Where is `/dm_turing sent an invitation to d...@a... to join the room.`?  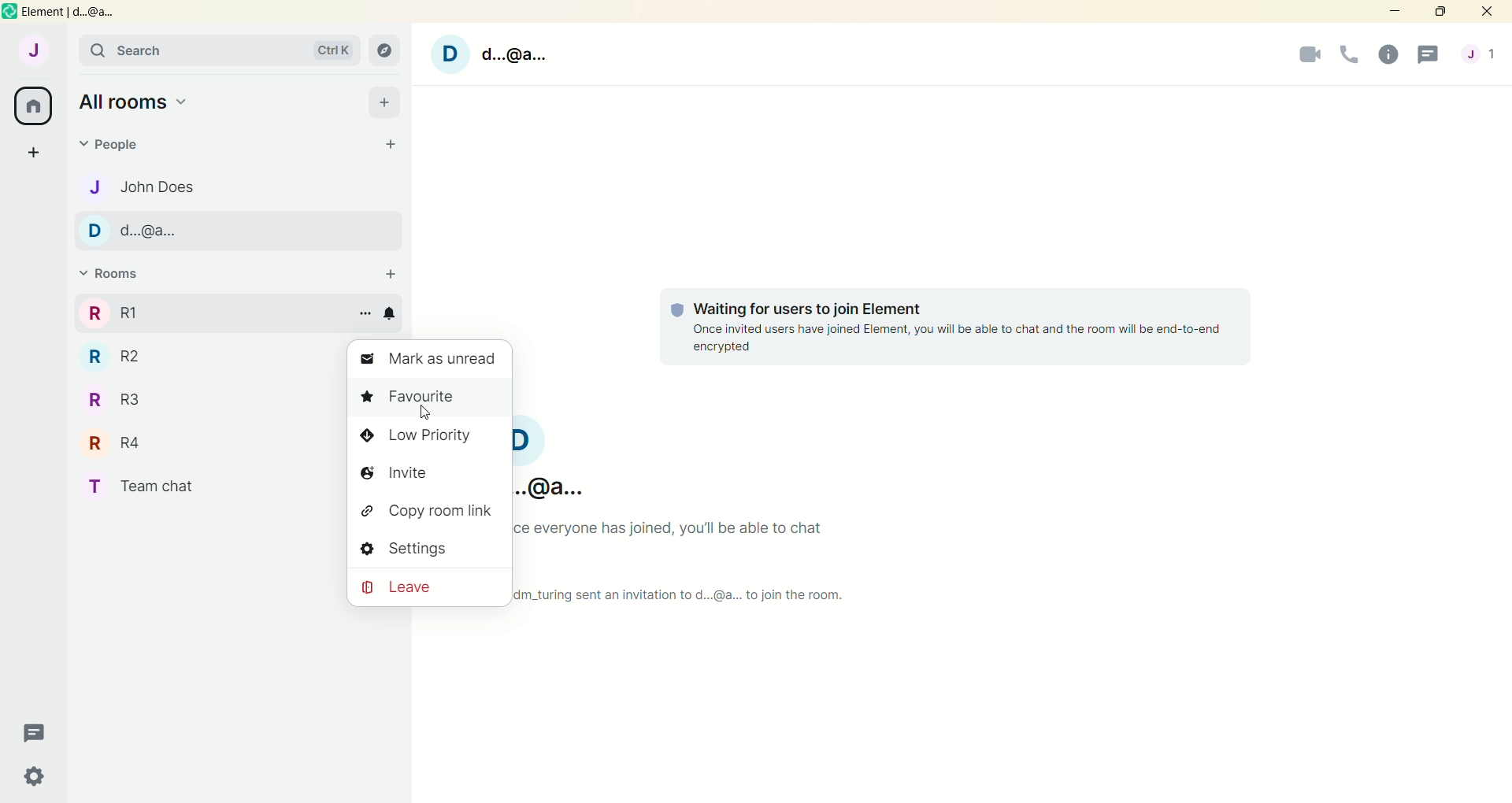 /dm_turing sent an invitation to d...@a... to join the room. is located at coordinates (682, 594).